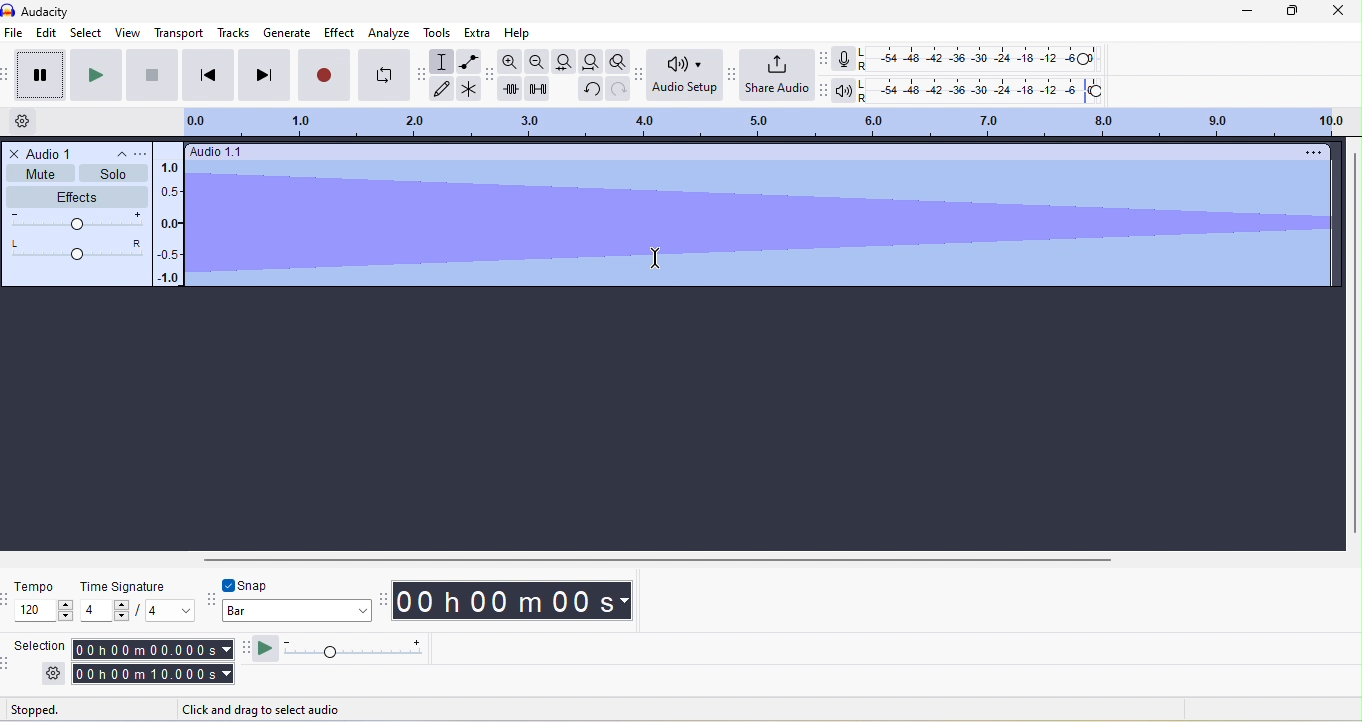  What do you see at coordinates (98, 76) in the screenshot?
I see `play` at bounding box center [98, 76].